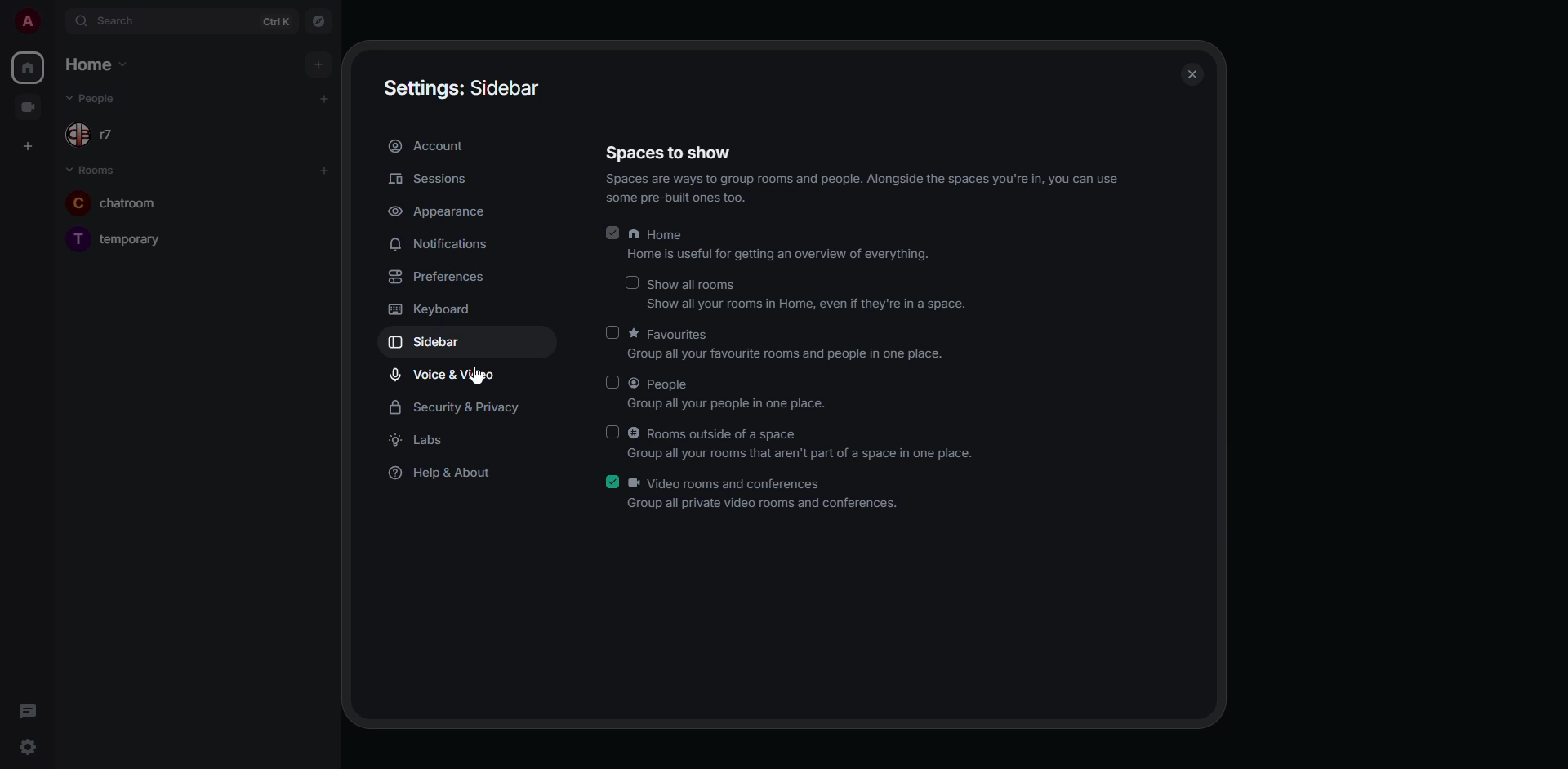 Image resolution: width=1568 pixels, height=769 pixels. I want to click on people, so click(733, 393).